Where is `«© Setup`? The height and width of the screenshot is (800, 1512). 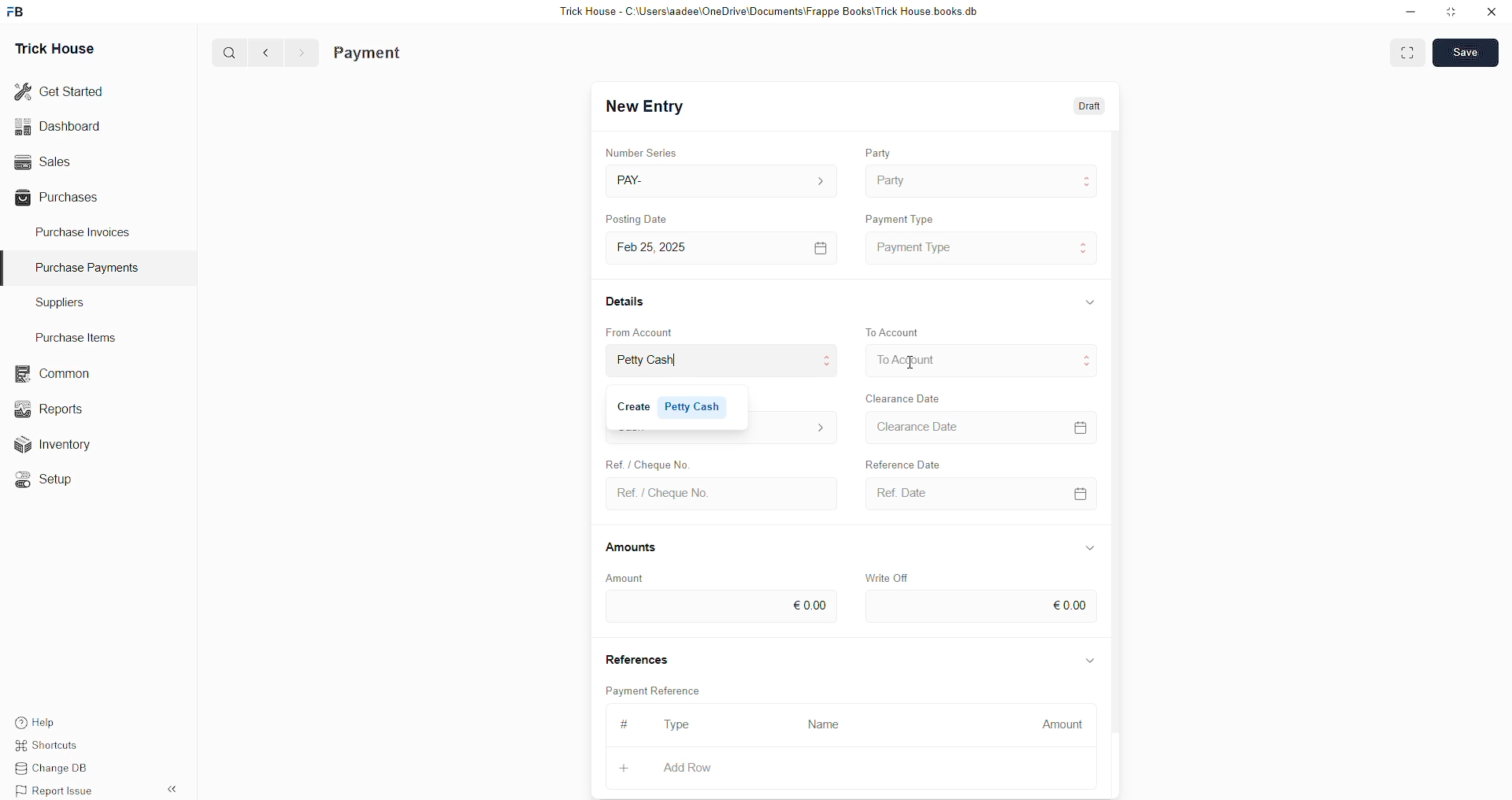
«© Setup is located at coordinates (49, 480).